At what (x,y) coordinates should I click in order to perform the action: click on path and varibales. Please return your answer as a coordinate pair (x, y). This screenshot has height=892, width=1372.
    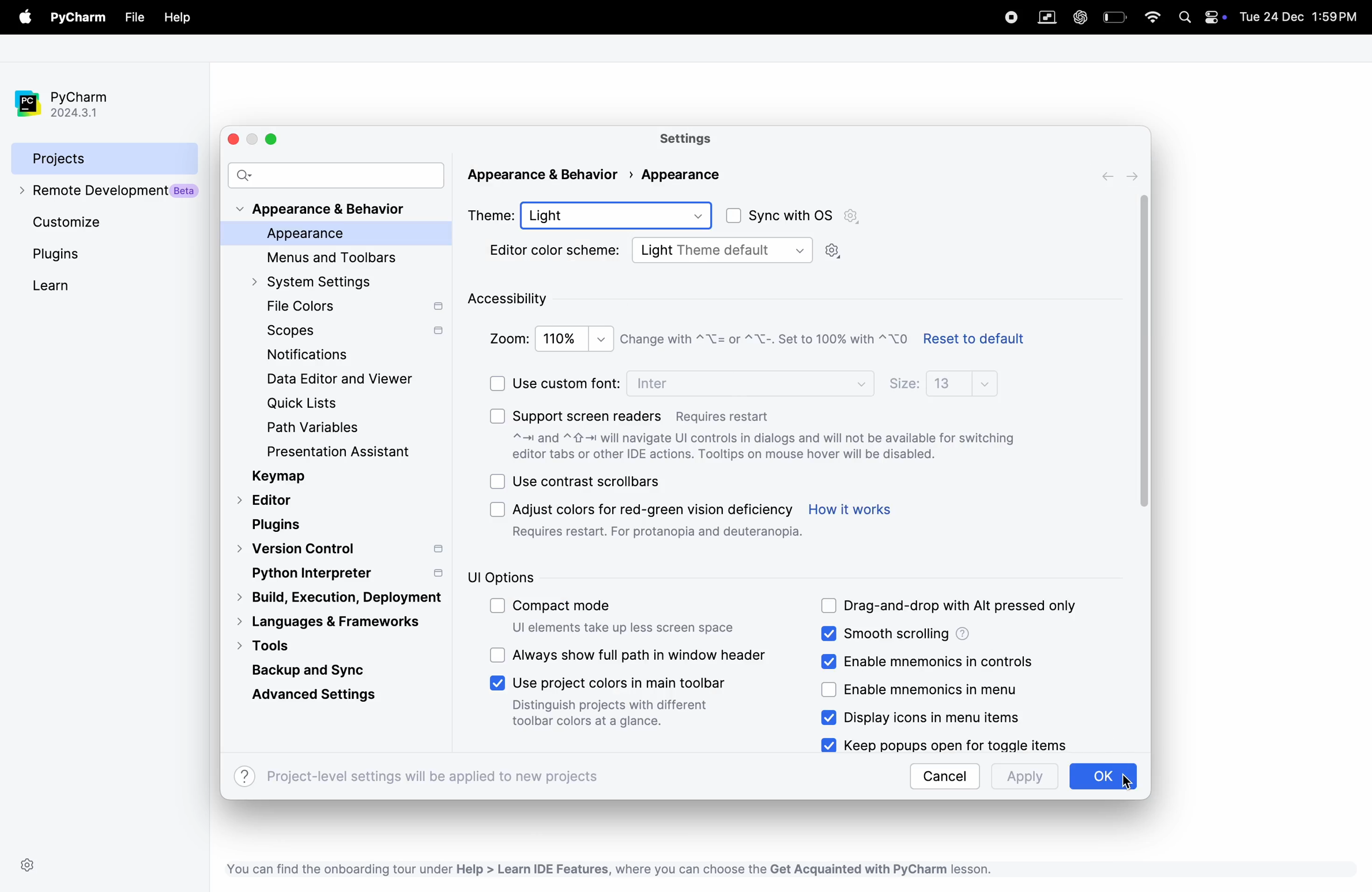
    Looking at the image, I should click on (323, 426).